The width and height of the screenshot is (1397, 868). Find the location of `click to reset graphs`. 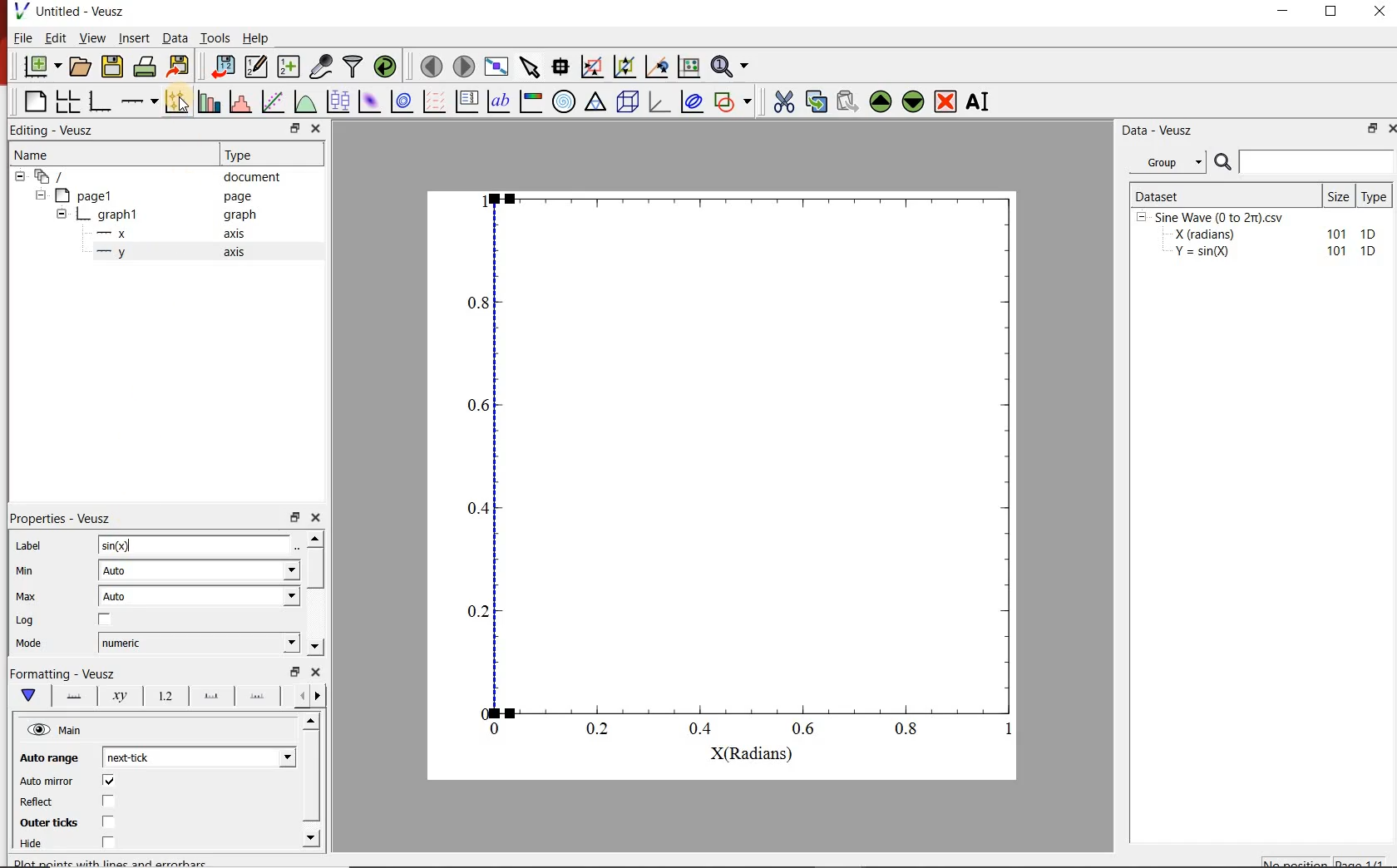

click to reset graphs is located at coordinates (689, 66).